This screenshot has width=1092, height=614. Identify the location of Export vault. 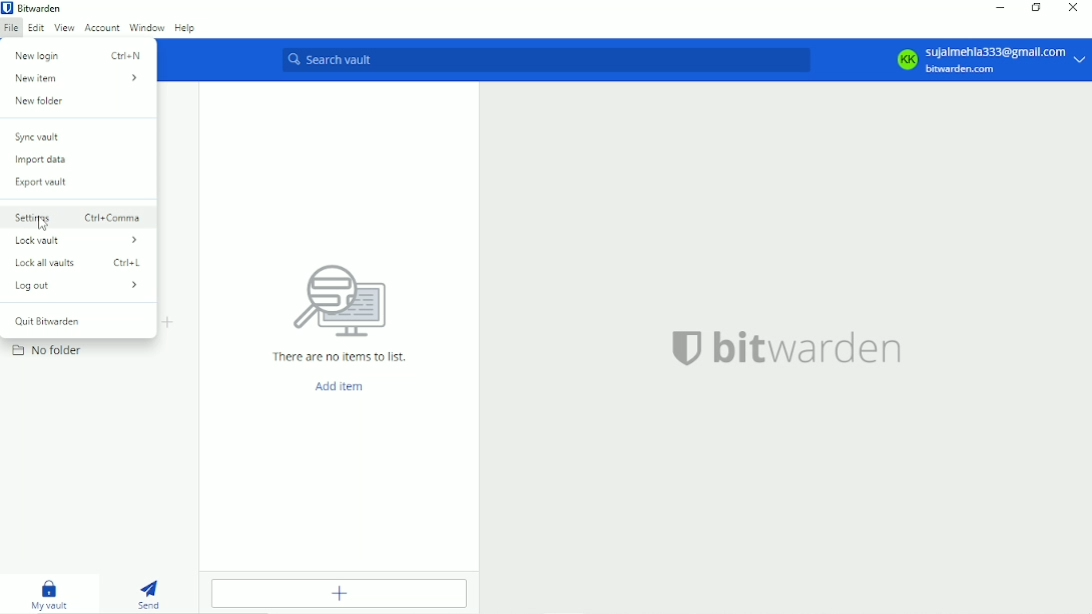
(46, 181).